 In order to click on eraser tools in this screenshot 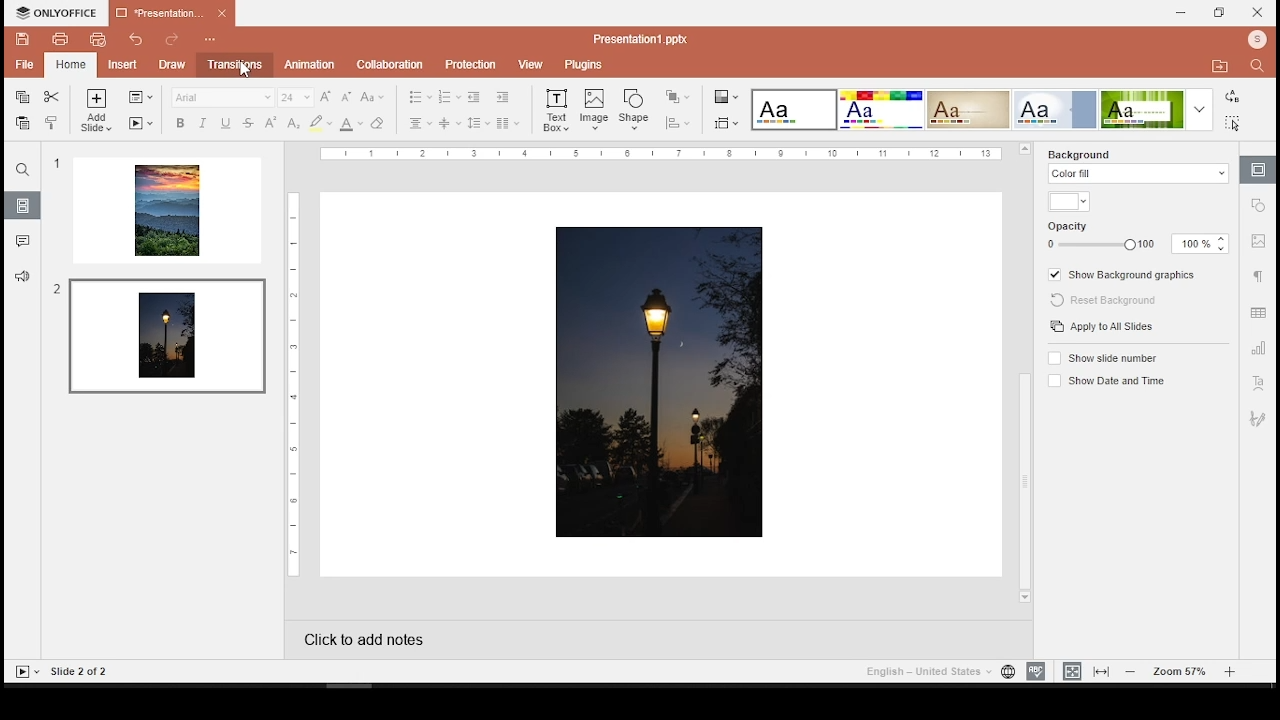, I will do `click(379, 123)`.